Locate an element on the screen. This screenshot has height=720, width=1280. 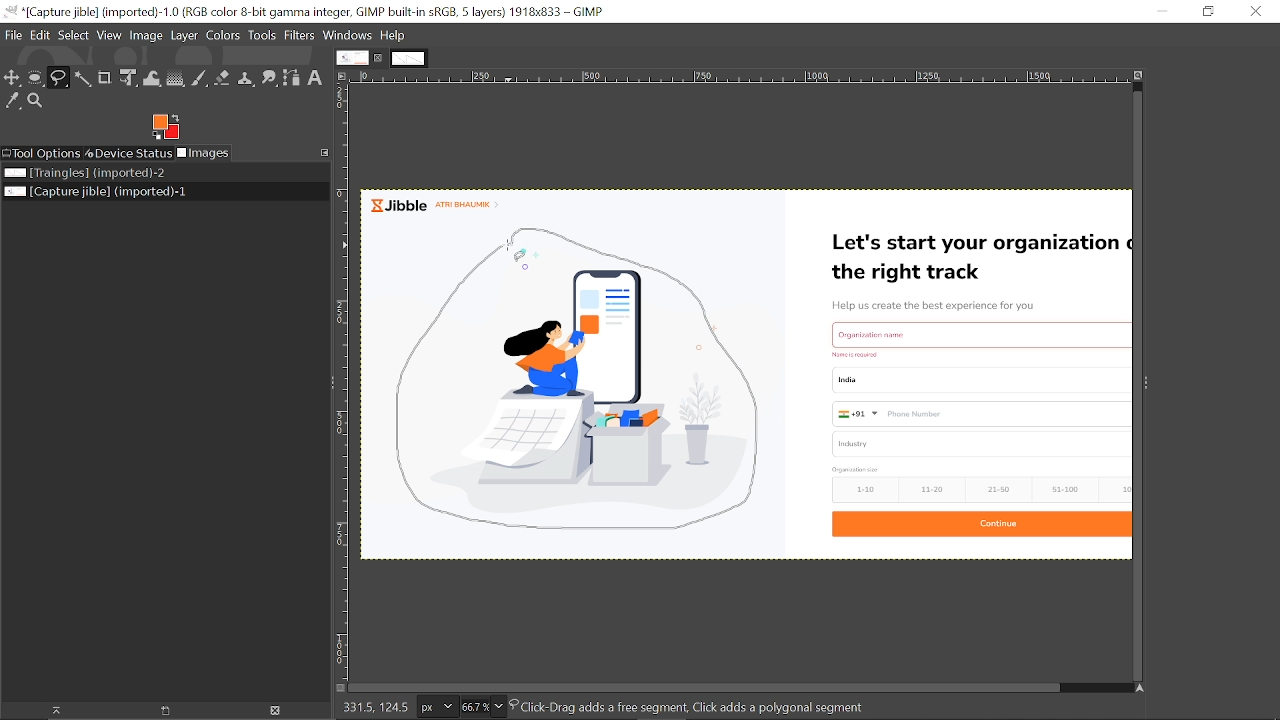
Close is located at coordinates (1258, 13).